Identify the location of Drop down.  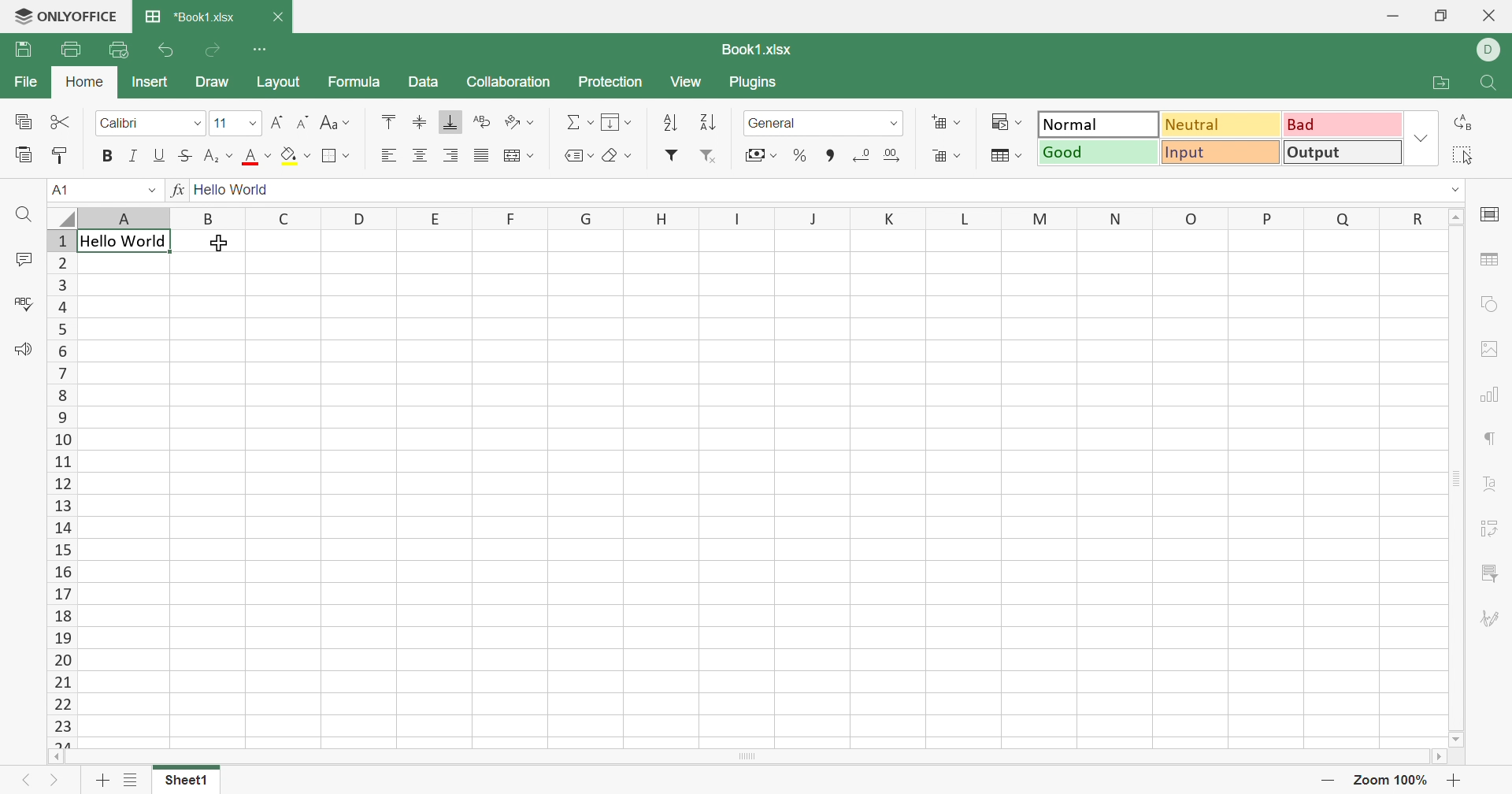
(154, 192).